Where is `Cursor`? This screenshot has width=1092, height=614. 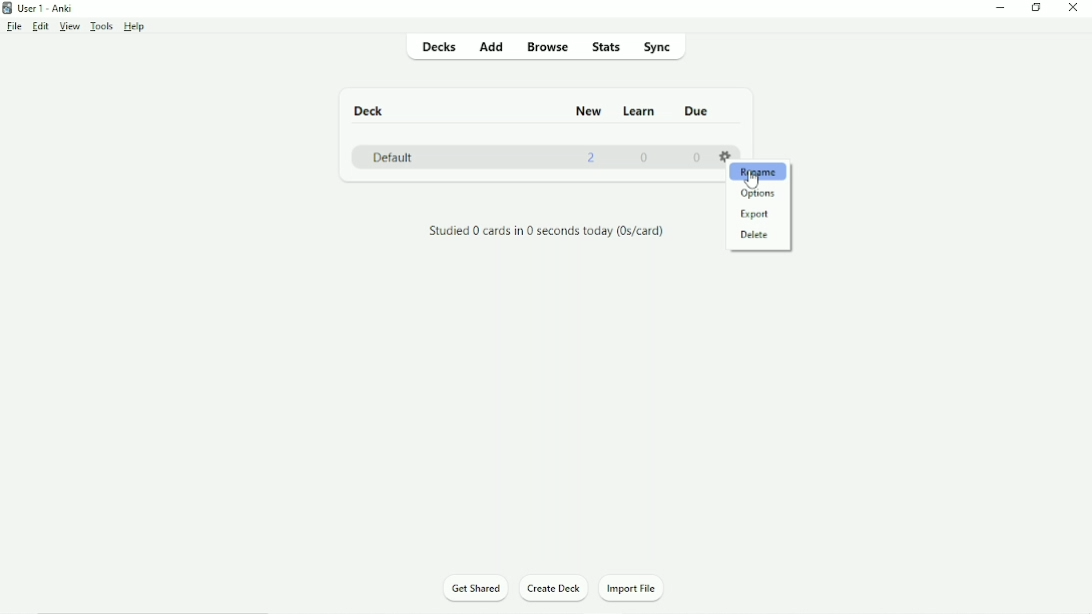
Cursor is located at coordinates (753, 182).